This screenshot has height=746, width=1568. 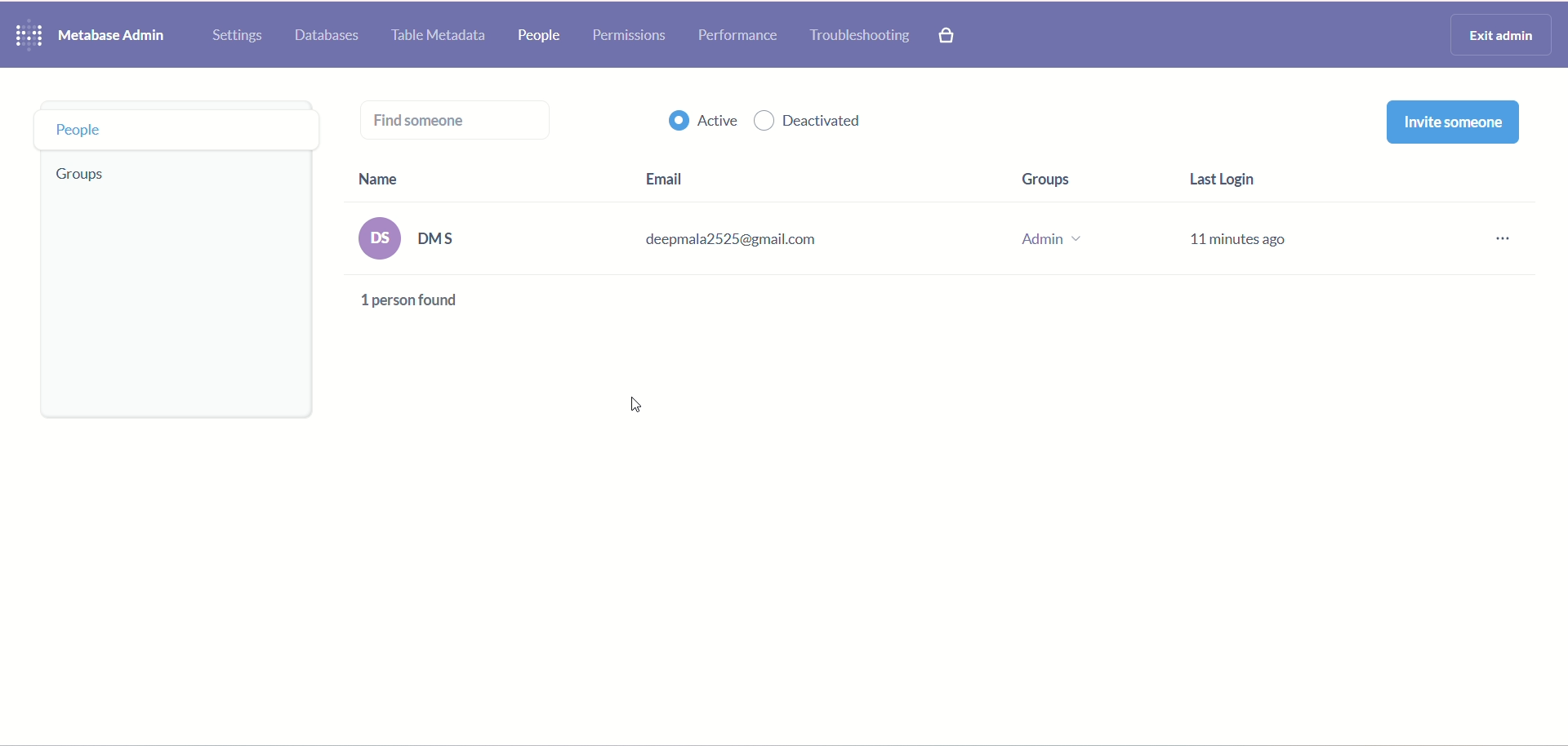 What do you see at coordinates (635, 403) in the screenshot?
I see `cursor` at bounding box center [635, 403].